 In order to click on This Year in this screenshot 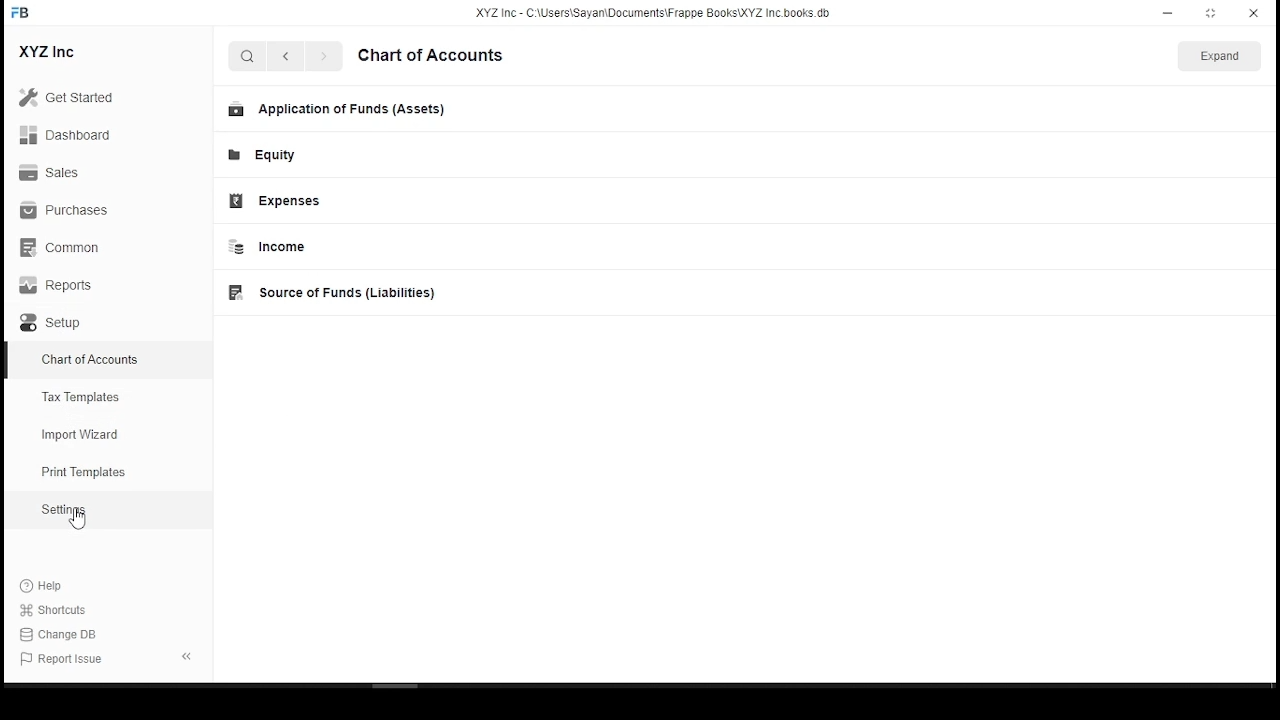, I will do `click(1218, 55)`.